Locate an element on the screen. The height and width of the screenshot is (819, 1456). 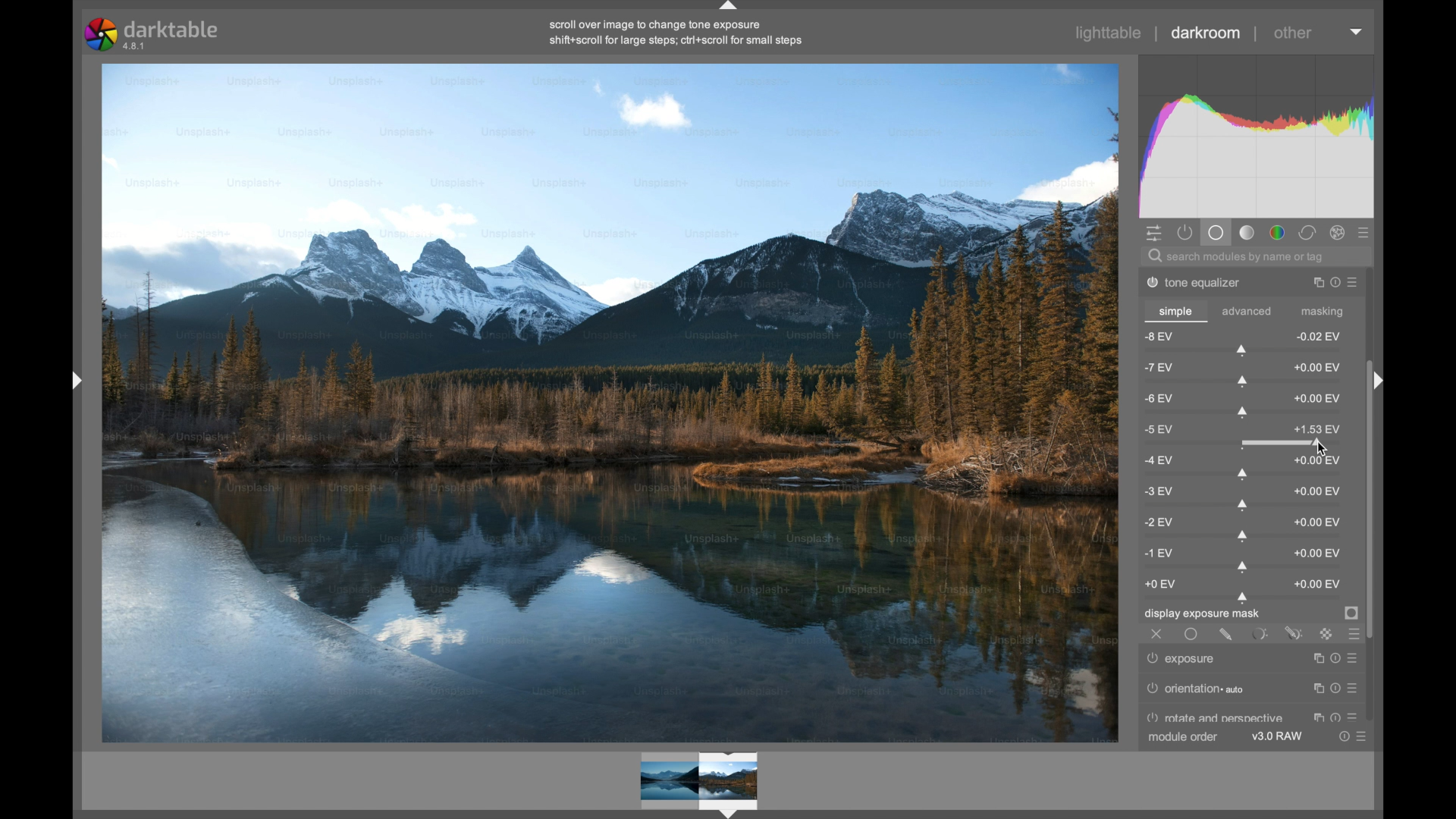
slider is located at coordinates (1242, 381).